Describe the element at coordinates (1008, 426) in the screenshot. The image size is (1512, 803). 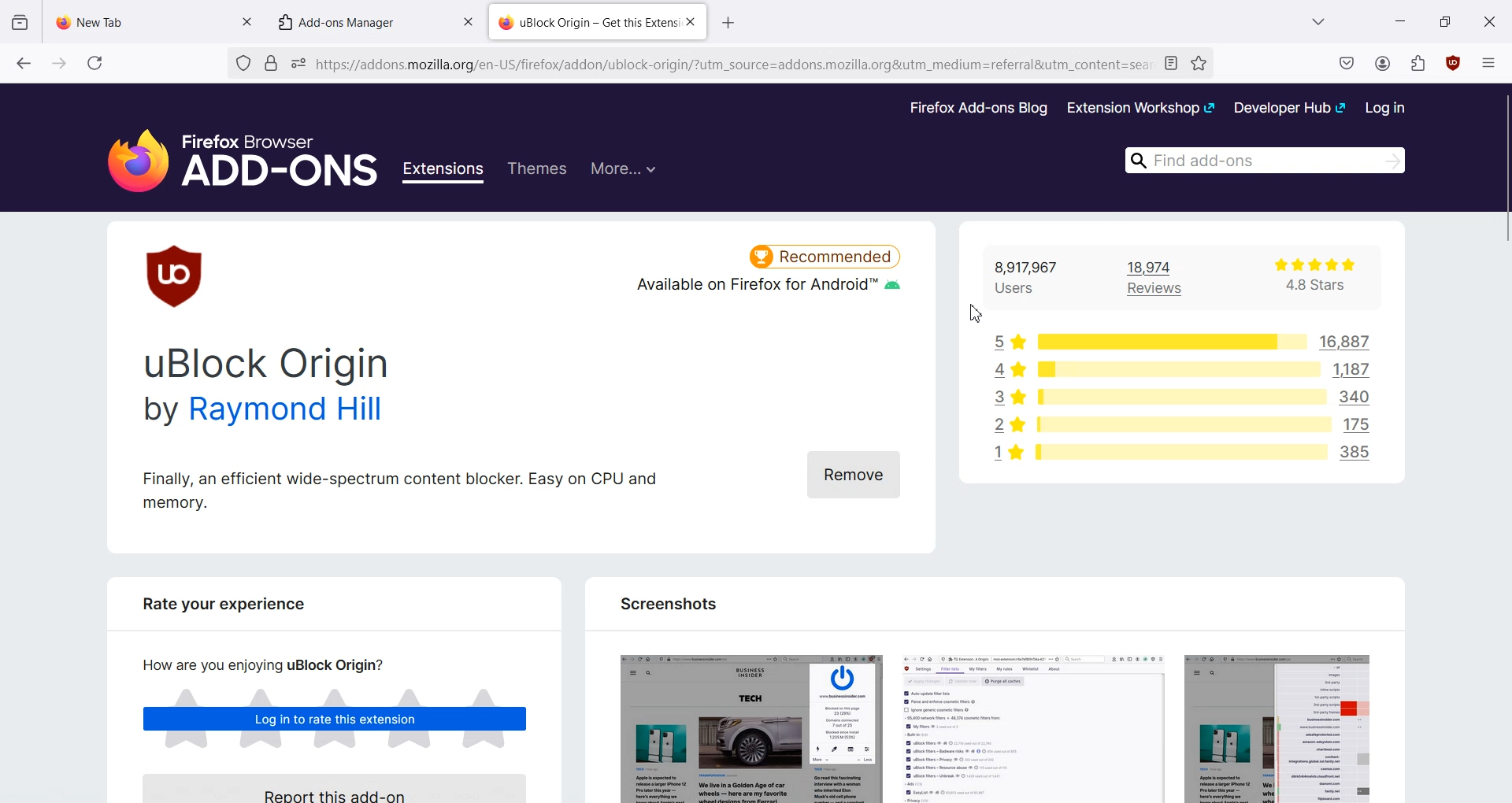
I see `2 star rating` at that location.